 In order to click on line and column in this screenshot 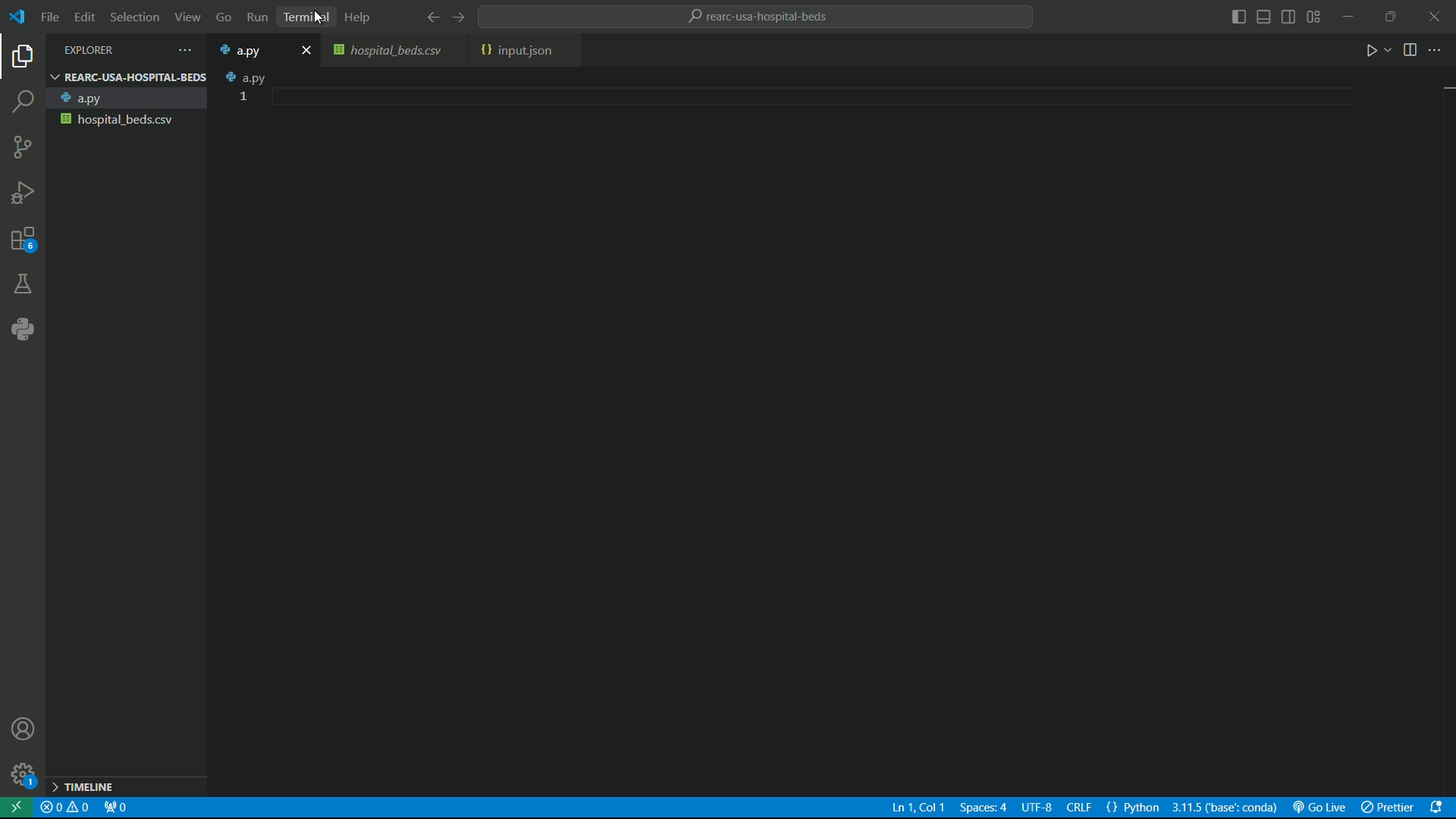, I will do `click(913, 809)`.